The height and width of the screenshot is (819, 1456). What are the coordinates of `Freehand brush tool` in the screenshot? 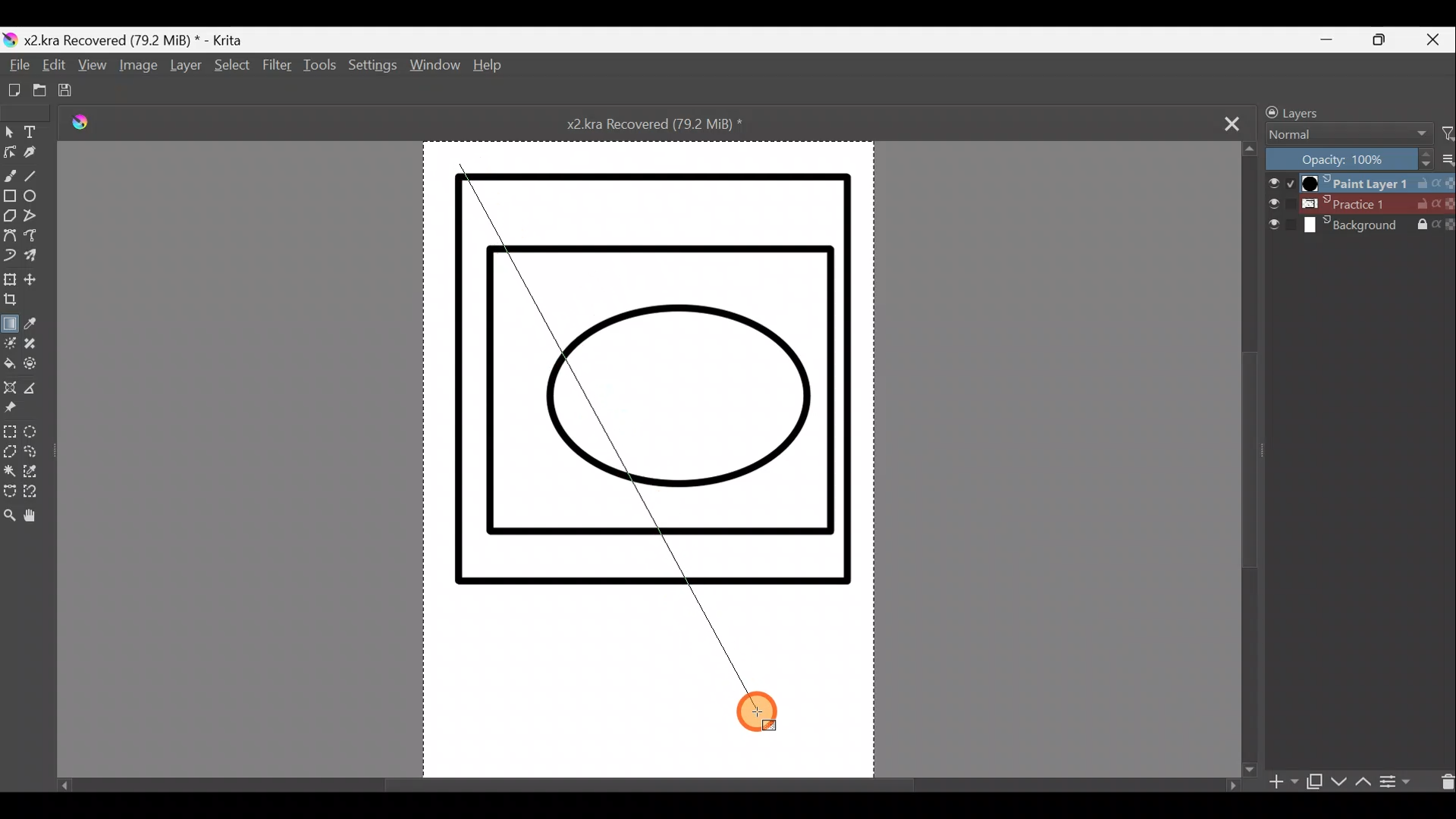 It's located at (10, 175).